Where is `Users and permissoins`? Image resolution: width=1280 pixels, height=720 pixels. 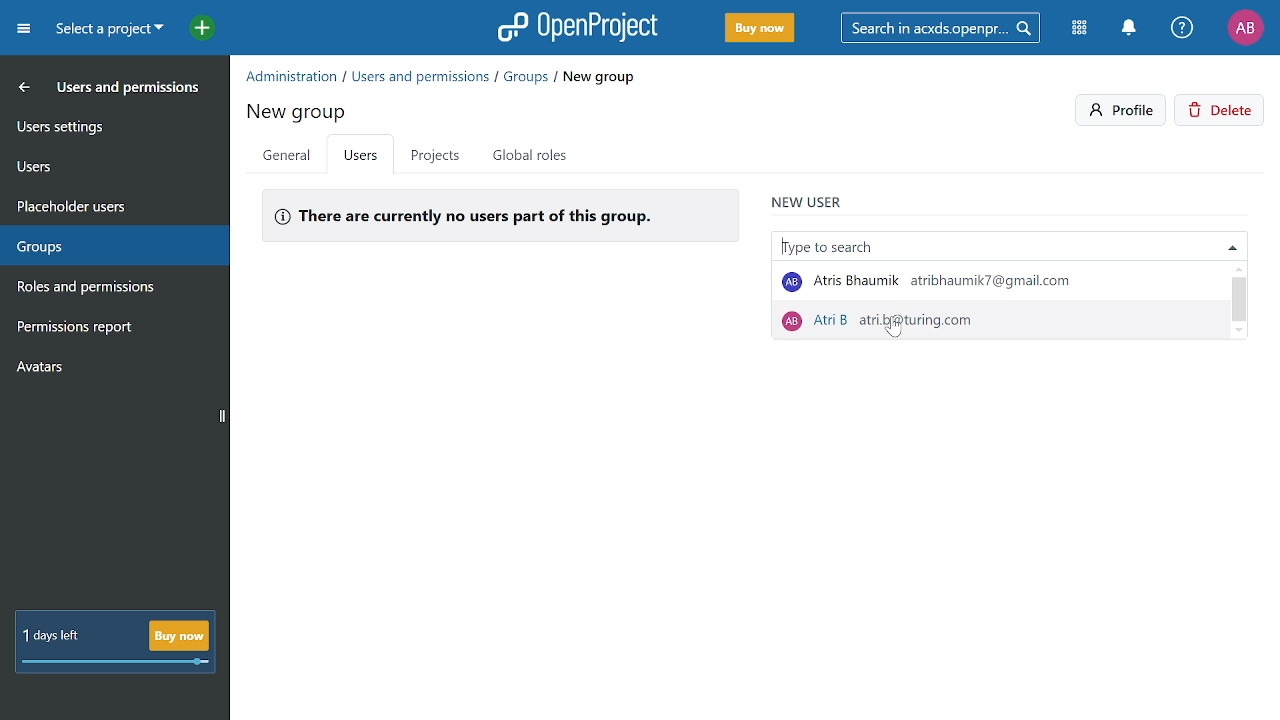
Users and permissoins is located at coordinates (130, 91).